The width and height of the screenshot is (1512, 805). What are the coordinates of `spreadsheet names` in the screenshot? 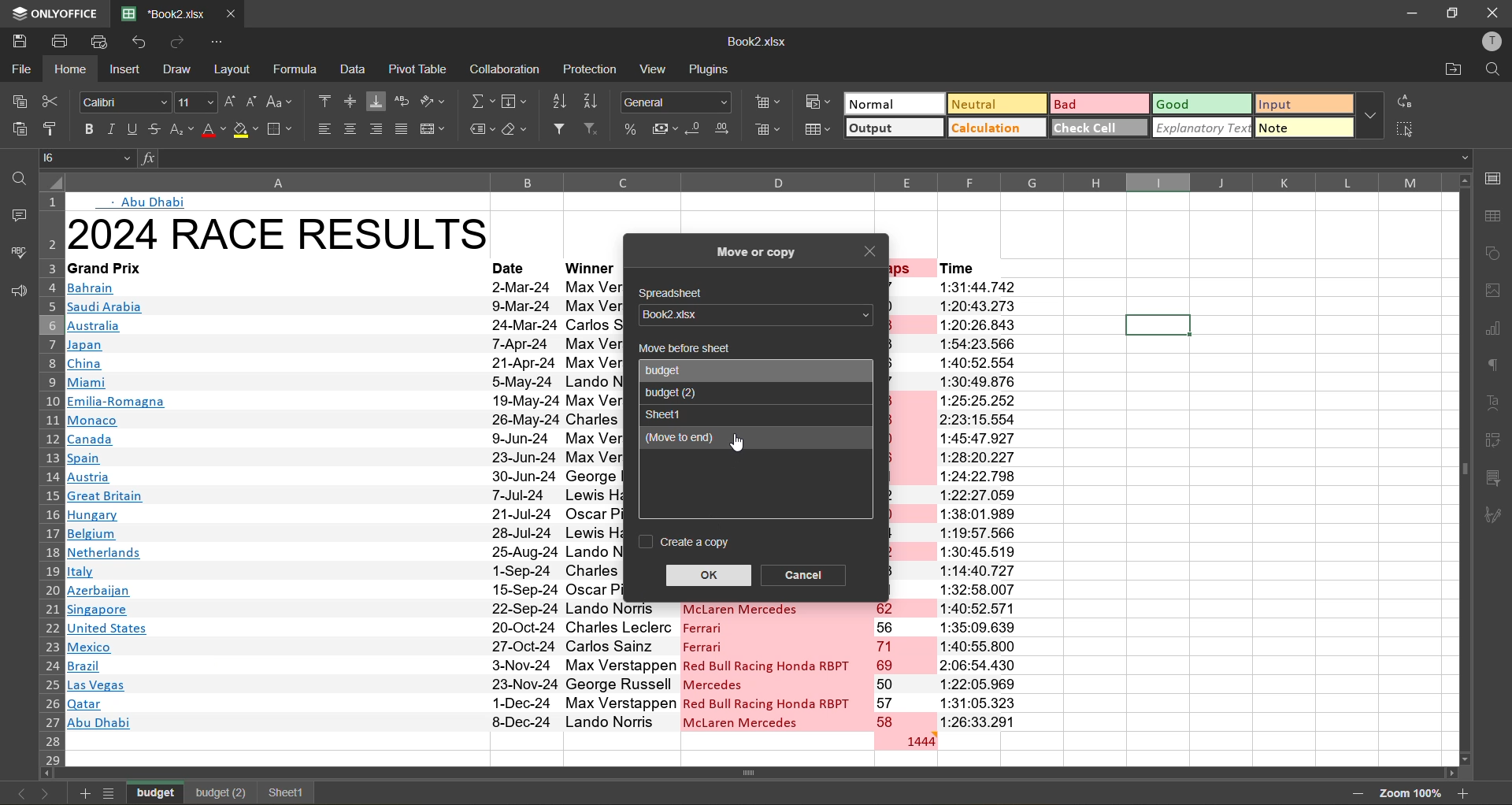 It's located at (677, 370).